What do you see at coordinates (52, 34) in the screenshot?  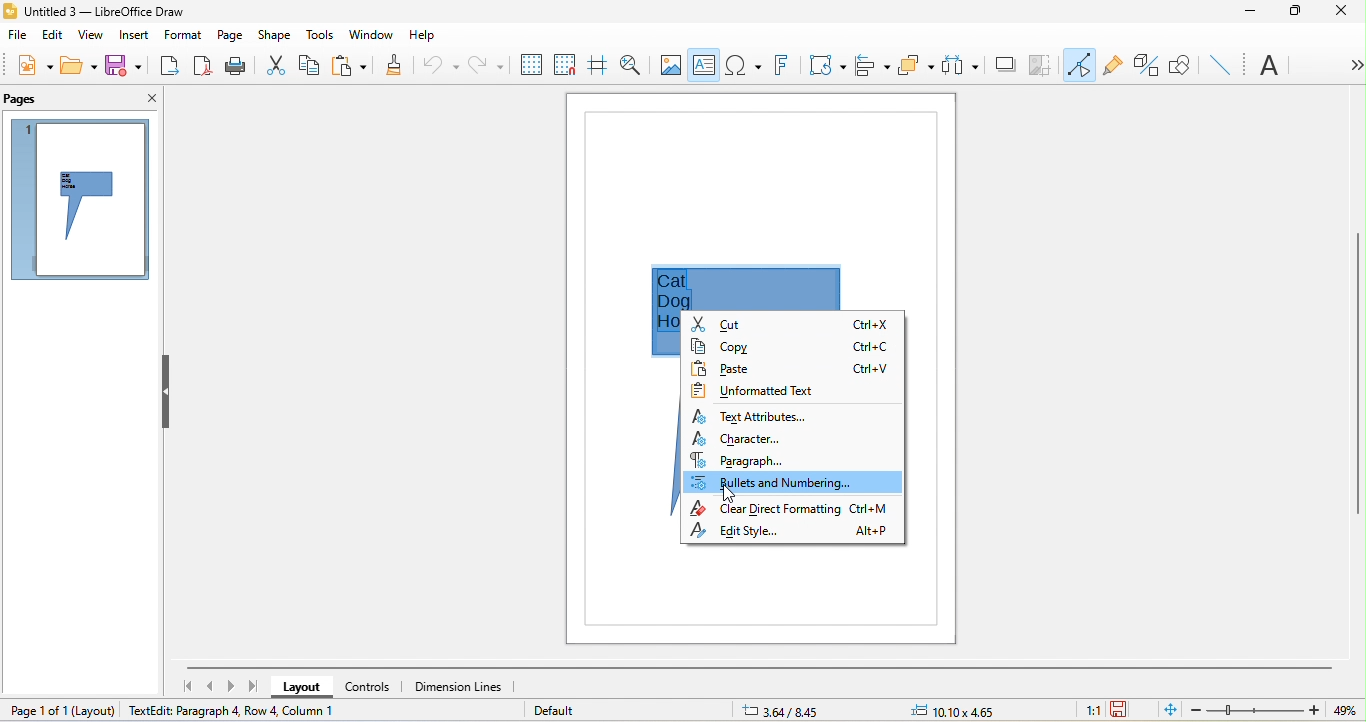 I see `edit` at bounding box center [52, 34].